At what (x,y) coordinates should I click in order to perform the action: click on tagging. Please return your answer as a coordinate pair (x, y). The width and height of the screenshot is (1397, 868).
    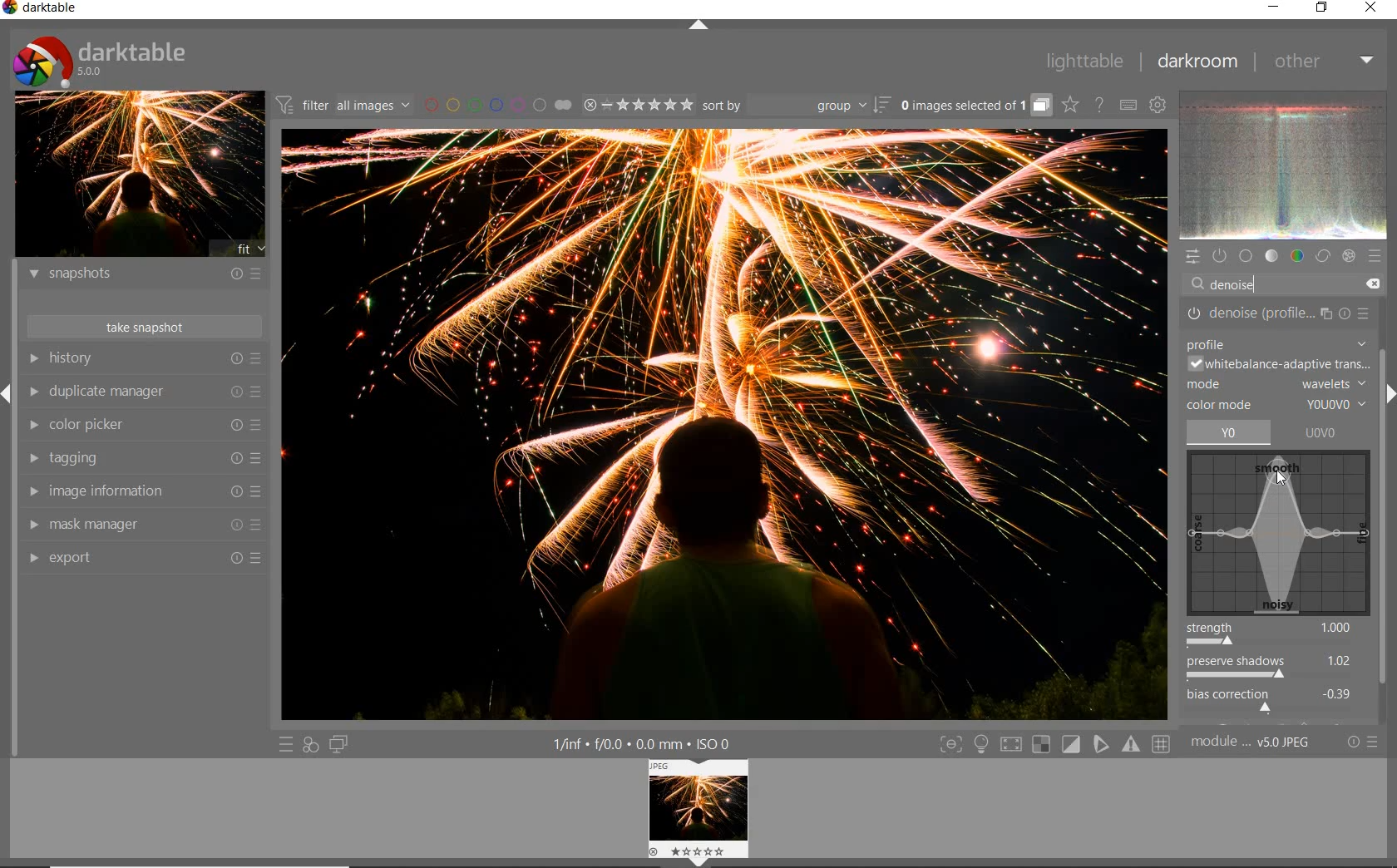
    Looking at the image, I should click on (144, 460).